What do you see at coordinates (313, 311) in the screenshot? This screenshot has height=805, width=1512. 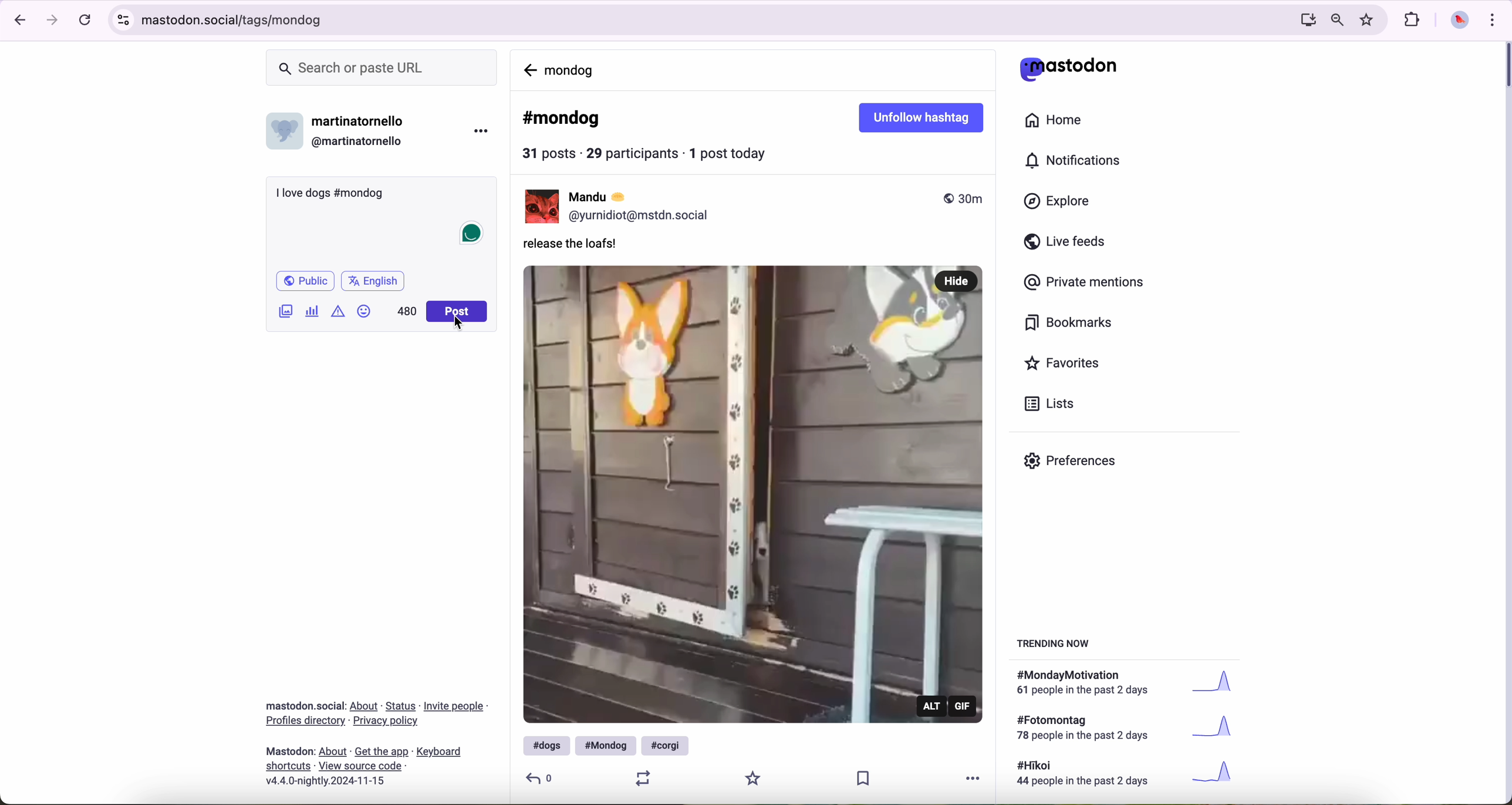 I see `create a poll` at bounding box center [313, 311].